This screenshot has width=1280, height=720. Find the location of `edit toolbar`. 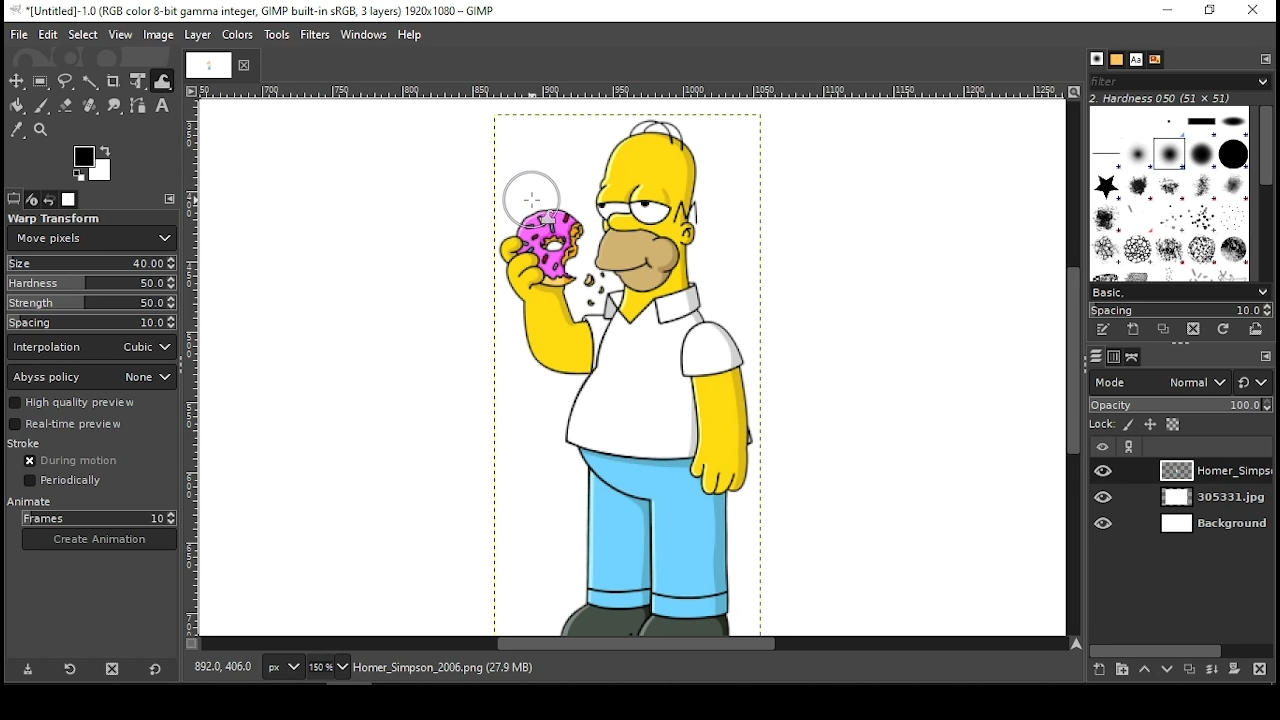

edit toolbar is located at coordinates (1269, 59).